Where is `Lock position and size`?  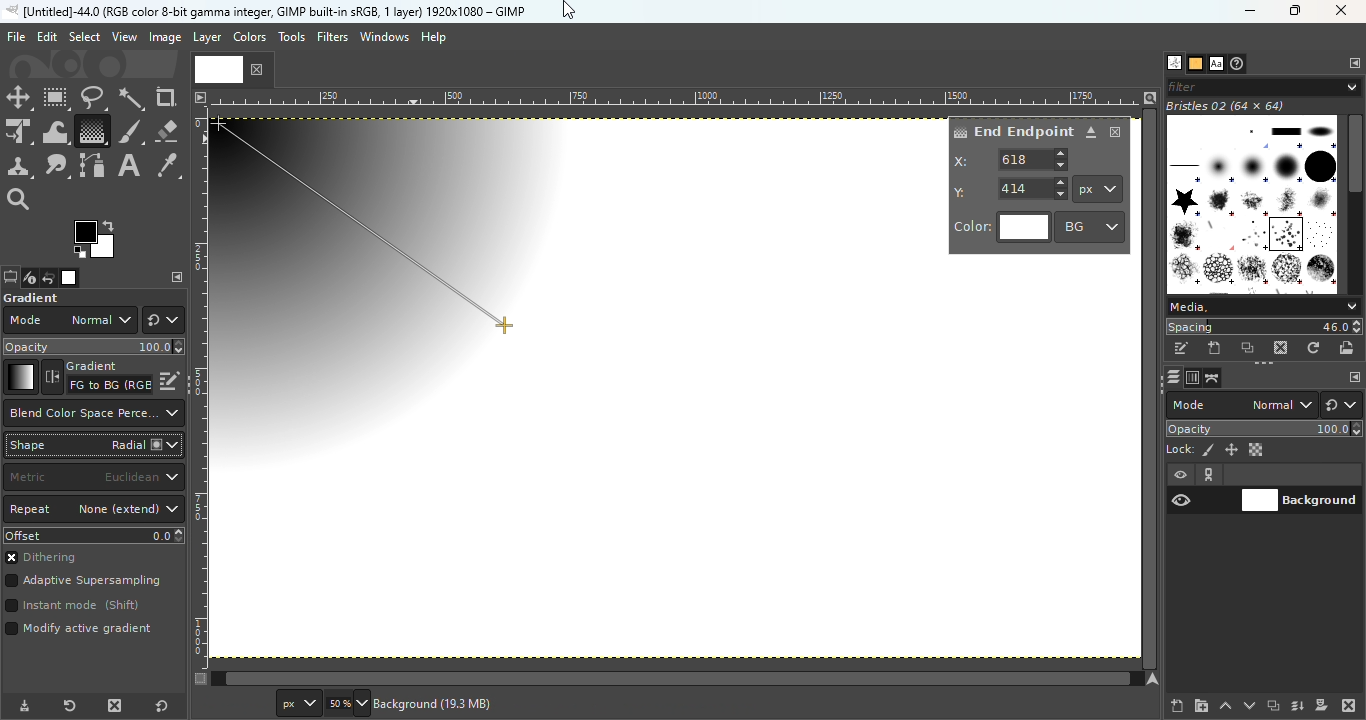
Lock position and size is located at coordinates (1230, 449).